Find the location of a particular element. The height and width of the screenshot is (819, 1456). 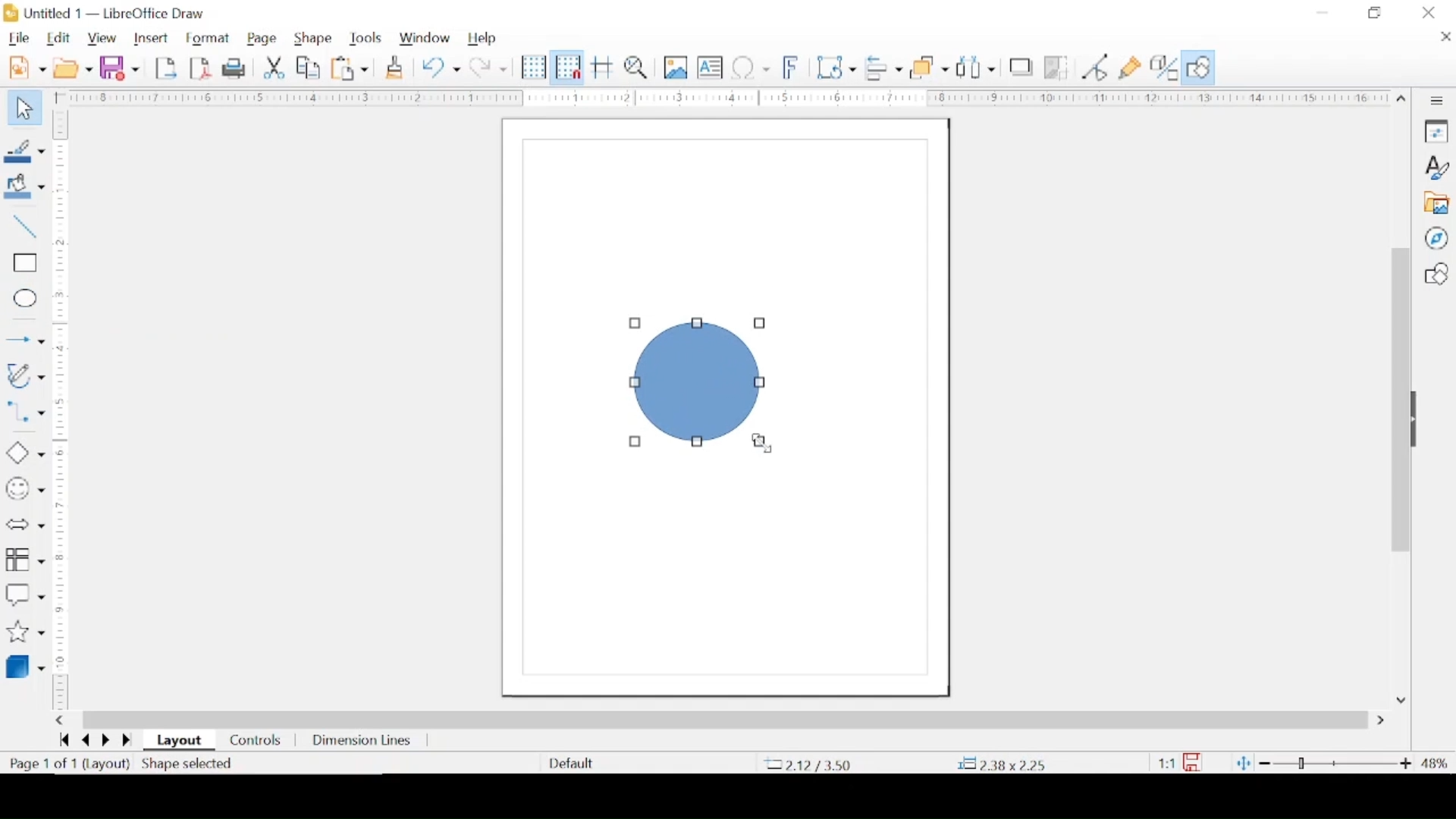

margin is located at coordinates (730, 97).